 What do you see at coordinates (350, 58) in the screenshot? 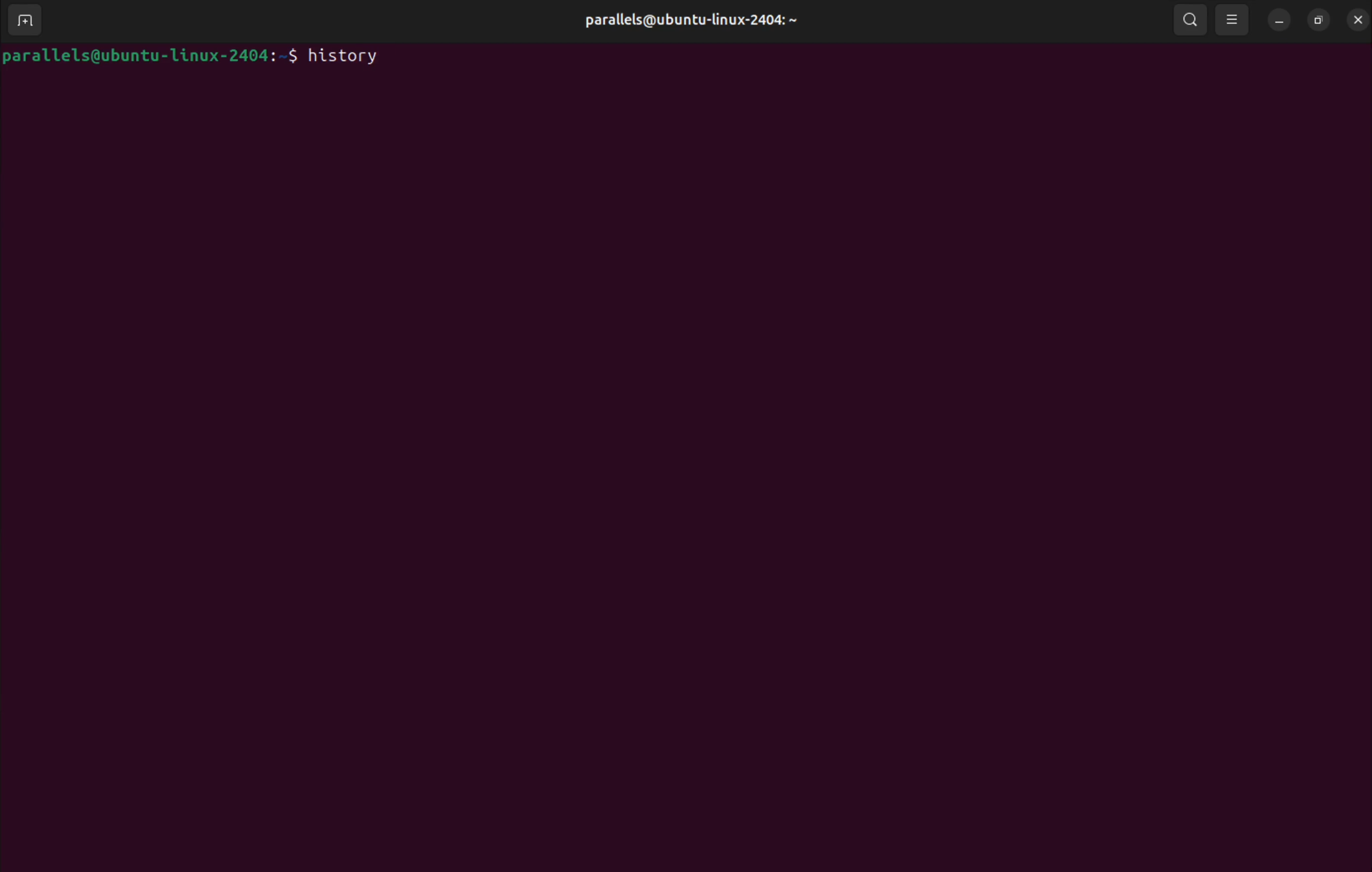
I see `history` at bounding box center [350, 58].